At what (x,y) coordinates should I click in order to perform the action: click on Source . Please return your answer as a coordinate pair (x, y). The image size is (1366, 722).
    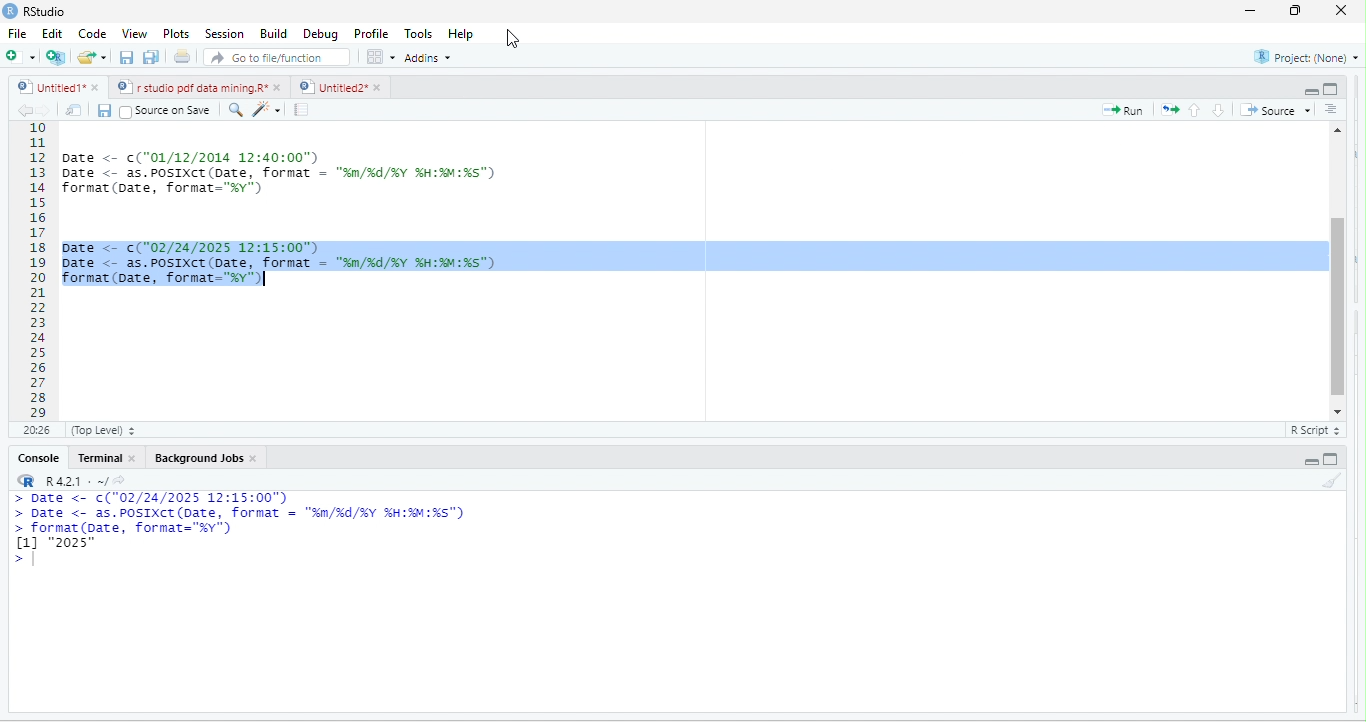
    Looking at the image, I should click on (1277, 110).